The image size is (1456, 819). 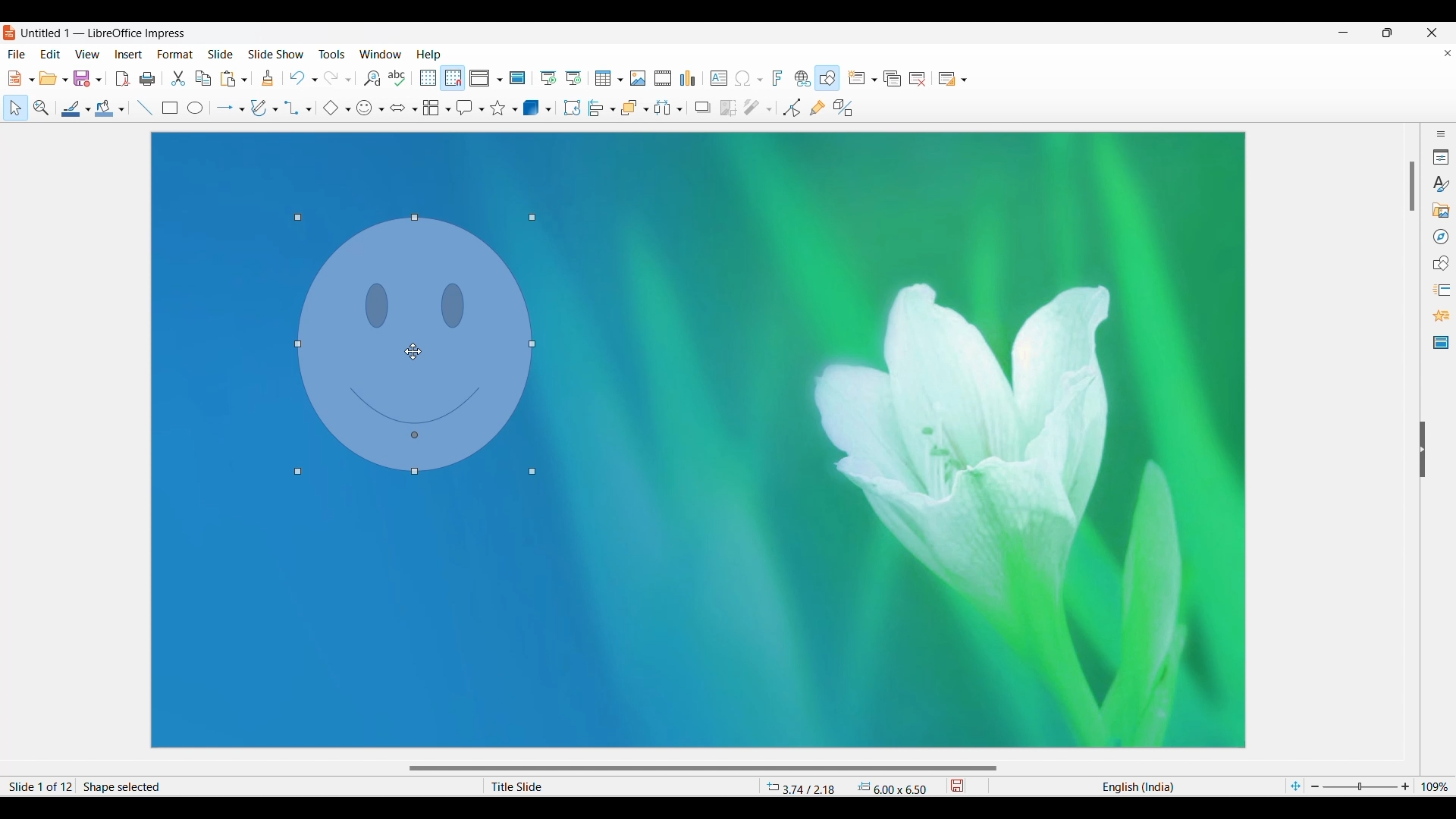 What do you see at coordinates (99, 80) in the screenshot?
I see `Save options` at bounding box center [99, 80].